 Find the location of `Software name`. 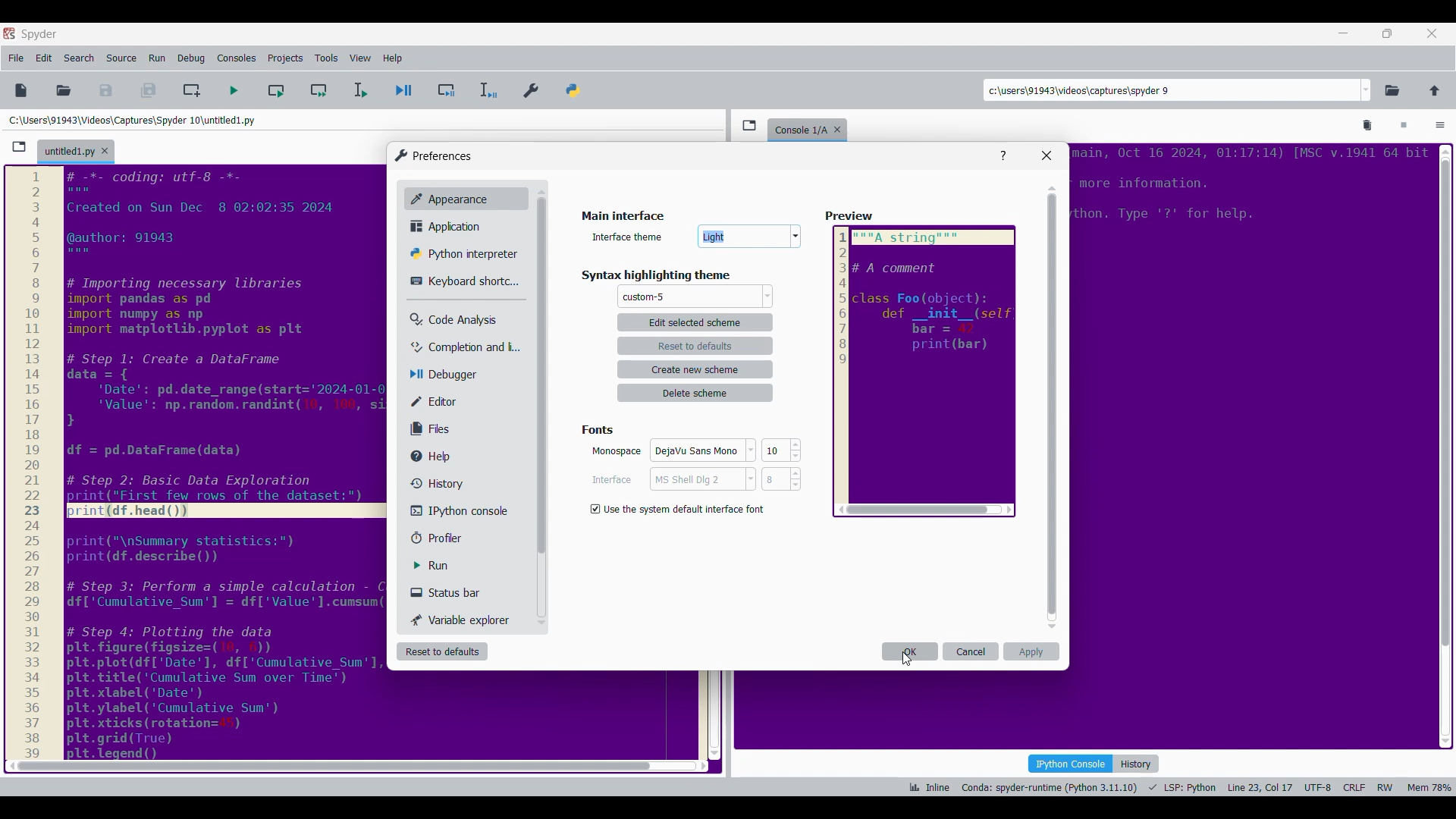

Software name is located at coordinates (39, 34).